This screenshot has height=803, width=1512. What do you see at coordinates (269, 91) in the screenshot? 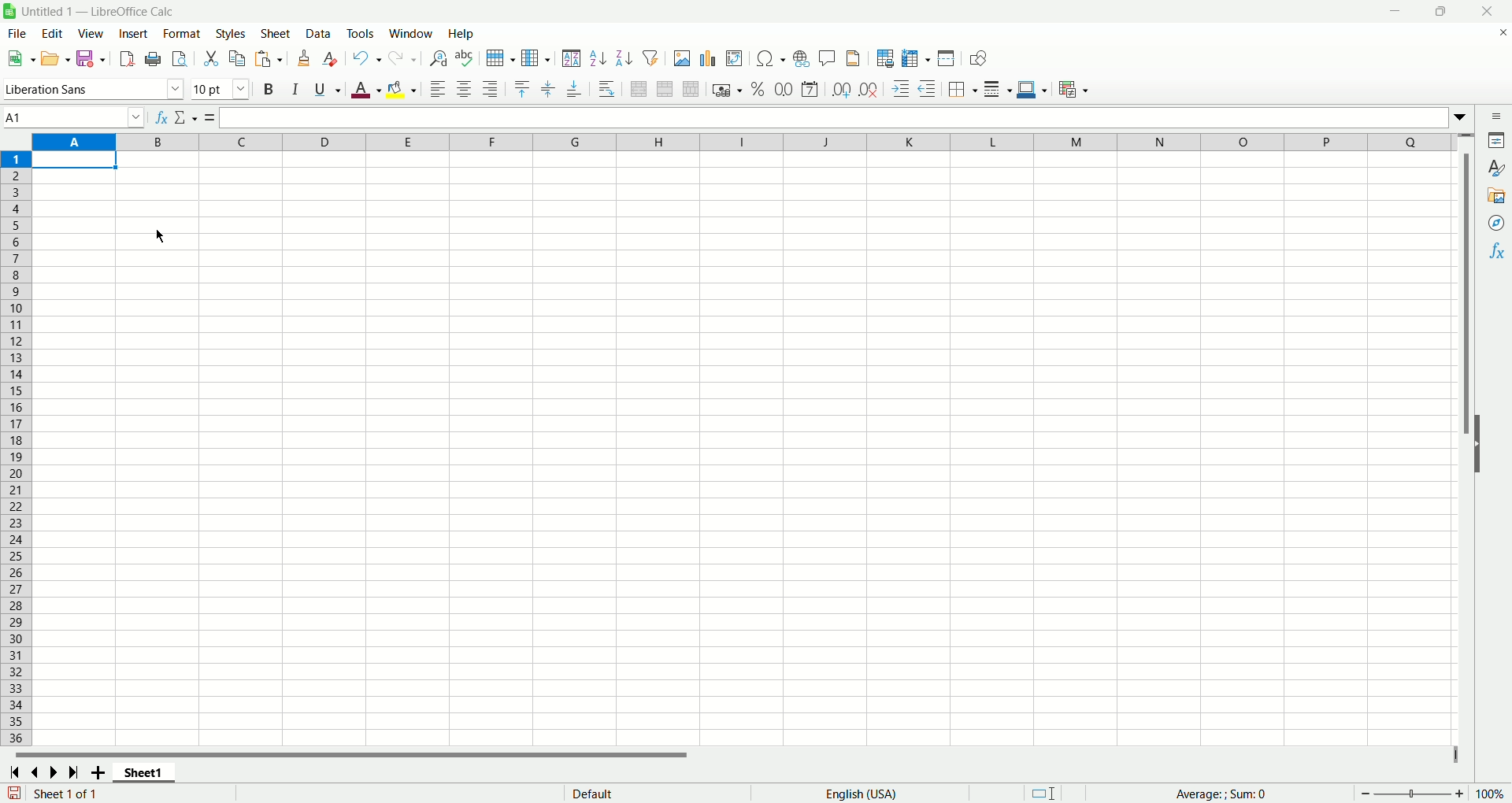
I see `bold` at bounding box center [269, 91].